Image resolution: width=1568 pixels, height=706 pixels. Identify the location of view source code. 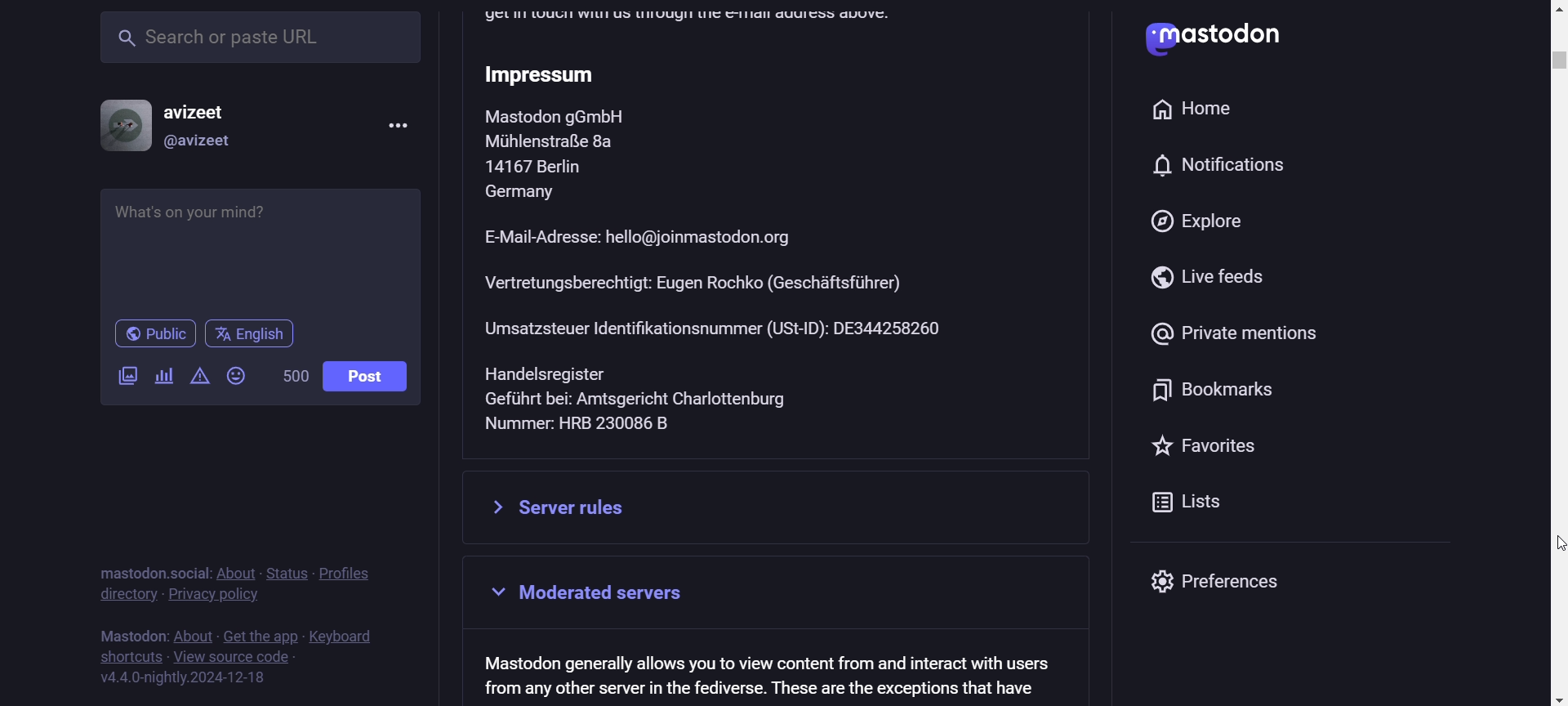
(234, 659).